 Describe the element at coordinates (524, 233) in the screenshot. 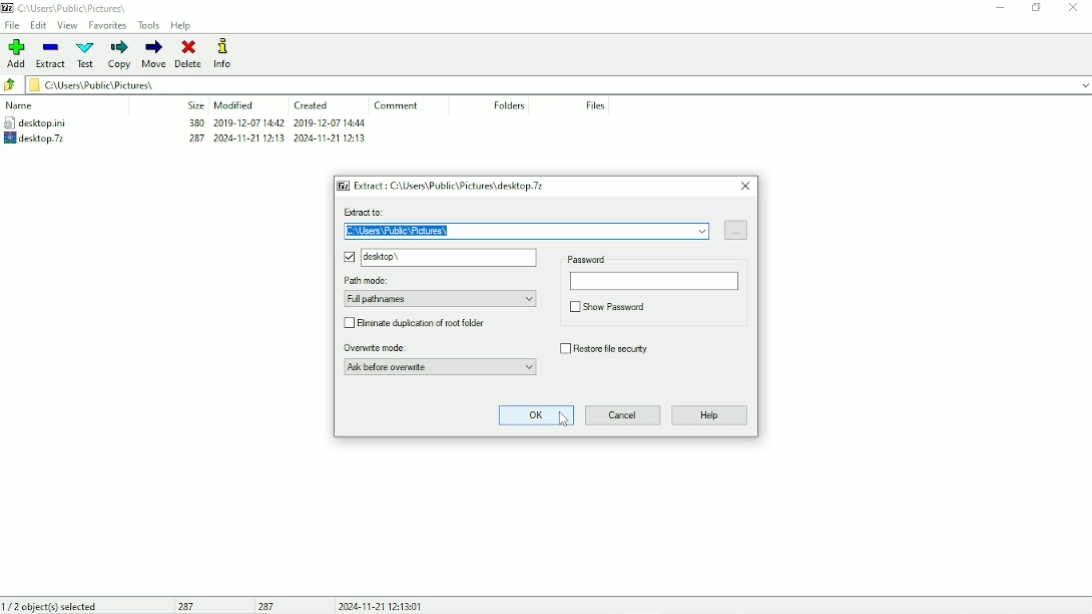

I see `c\. Users\ Pubic\ Pictures \` at that location.